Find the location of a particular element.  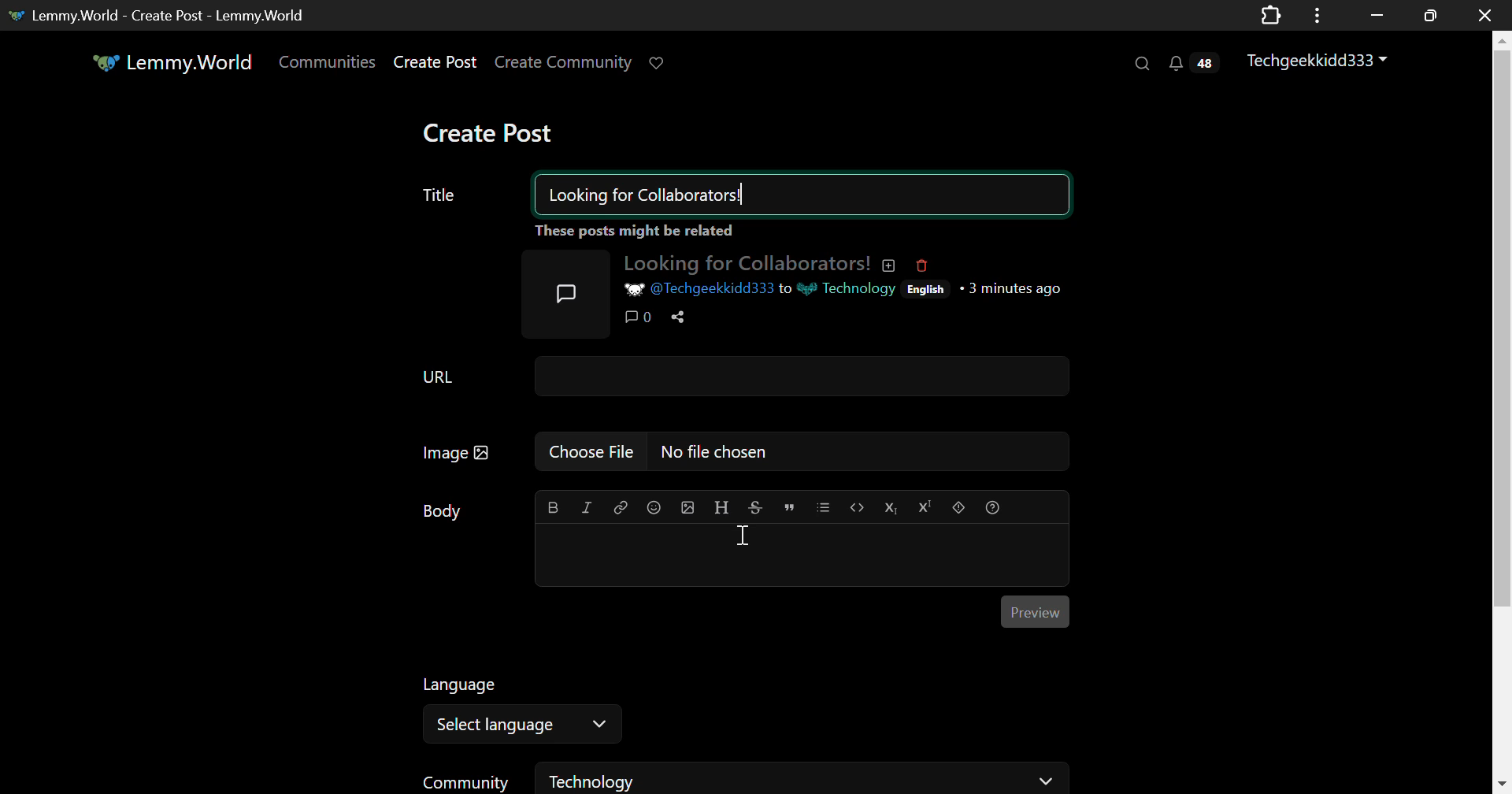

Communities is located at coordinates (329, 63).